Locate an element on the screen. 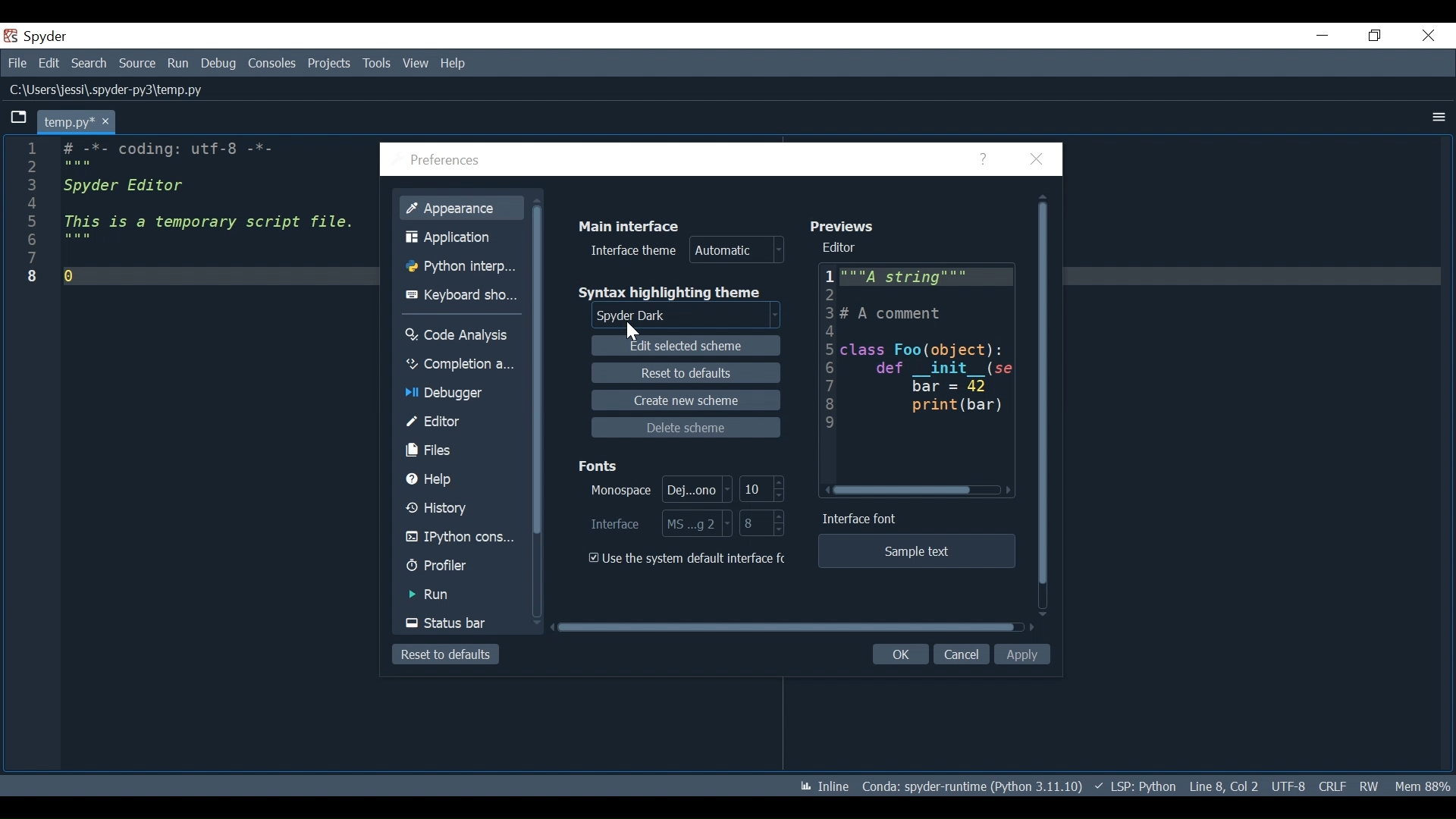  Toggle inline and interactive Matplotlib plotting is located at coordinates (822, 784).